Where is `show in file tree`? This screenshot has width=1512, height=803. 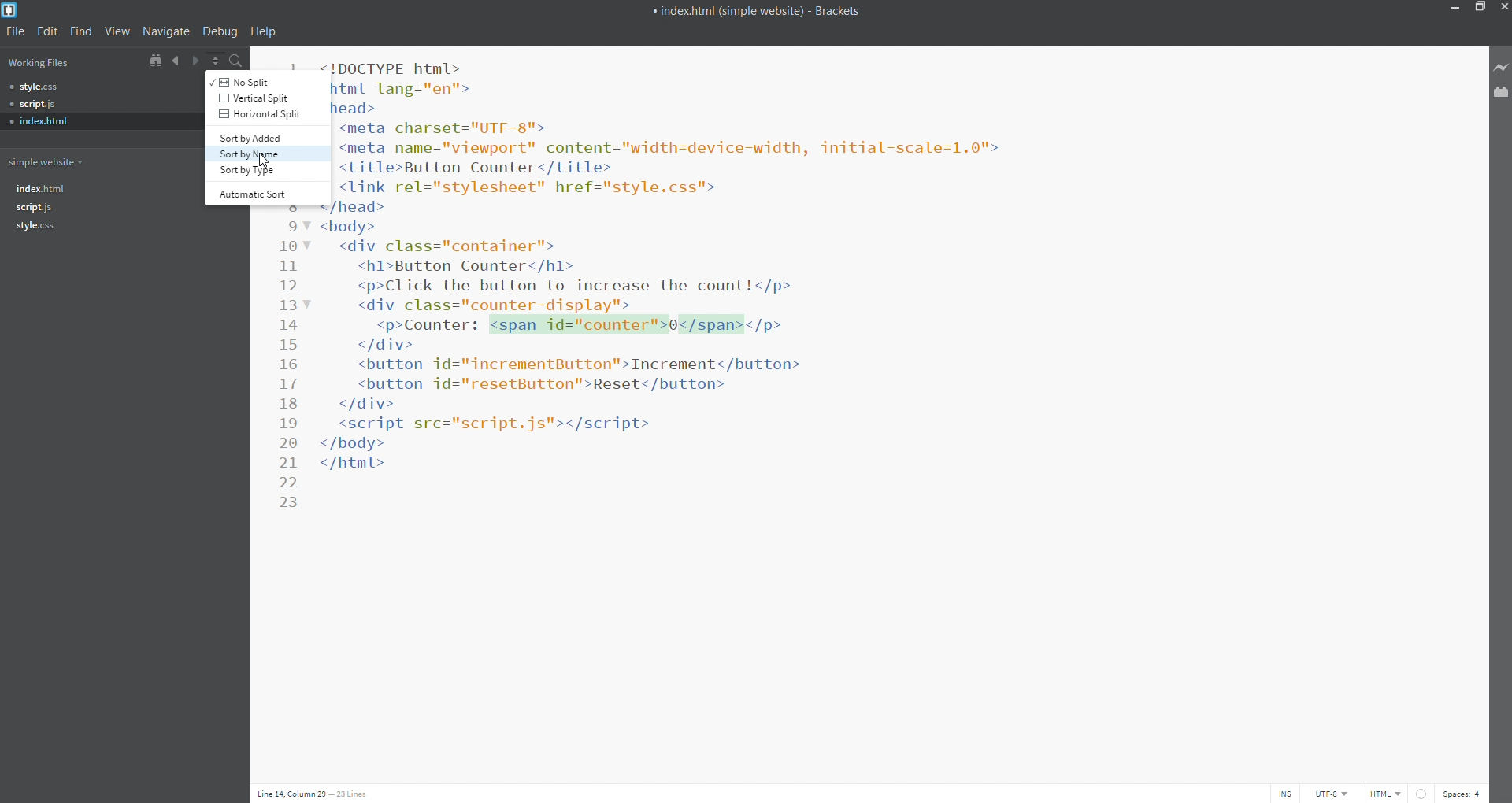
show in file tree is located at coordinates (156, 61).